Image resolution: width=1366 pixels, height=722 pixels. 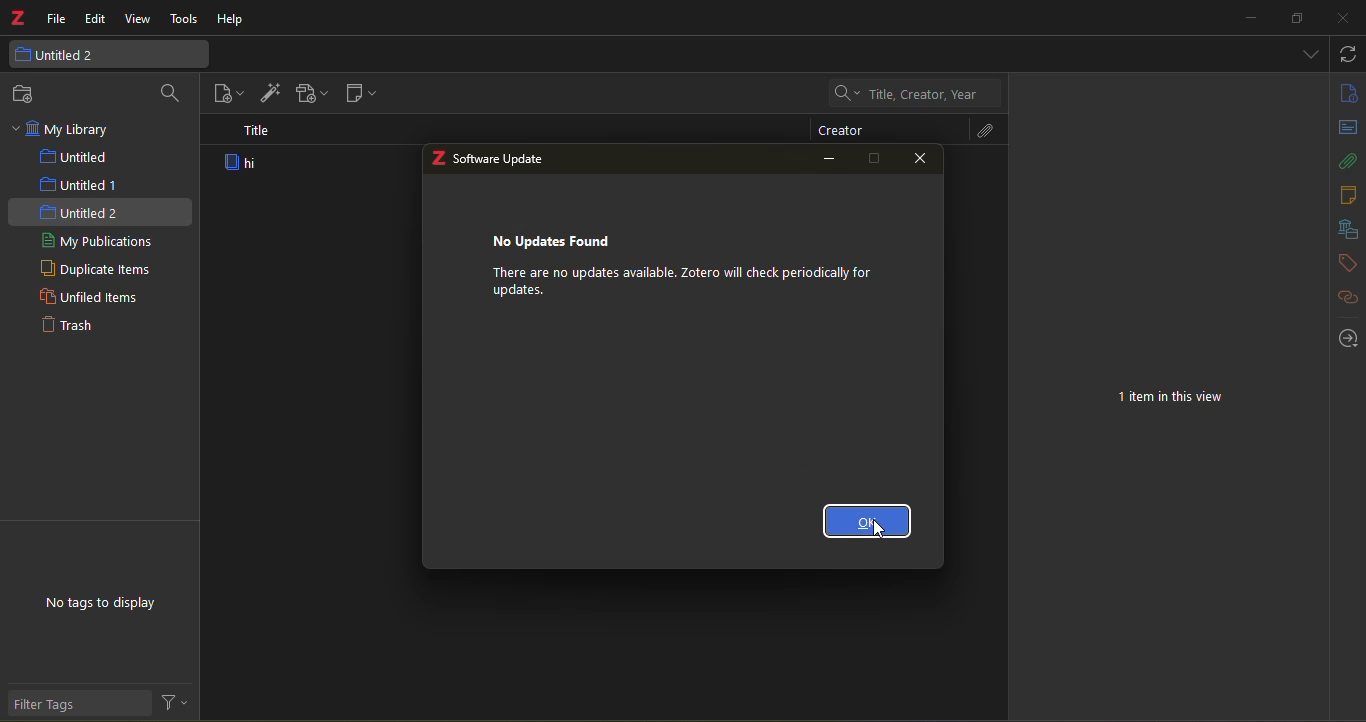 What do you see at coordinates (138, 19) in the screenshot?
I see `view` at bounding box center [138, 19].